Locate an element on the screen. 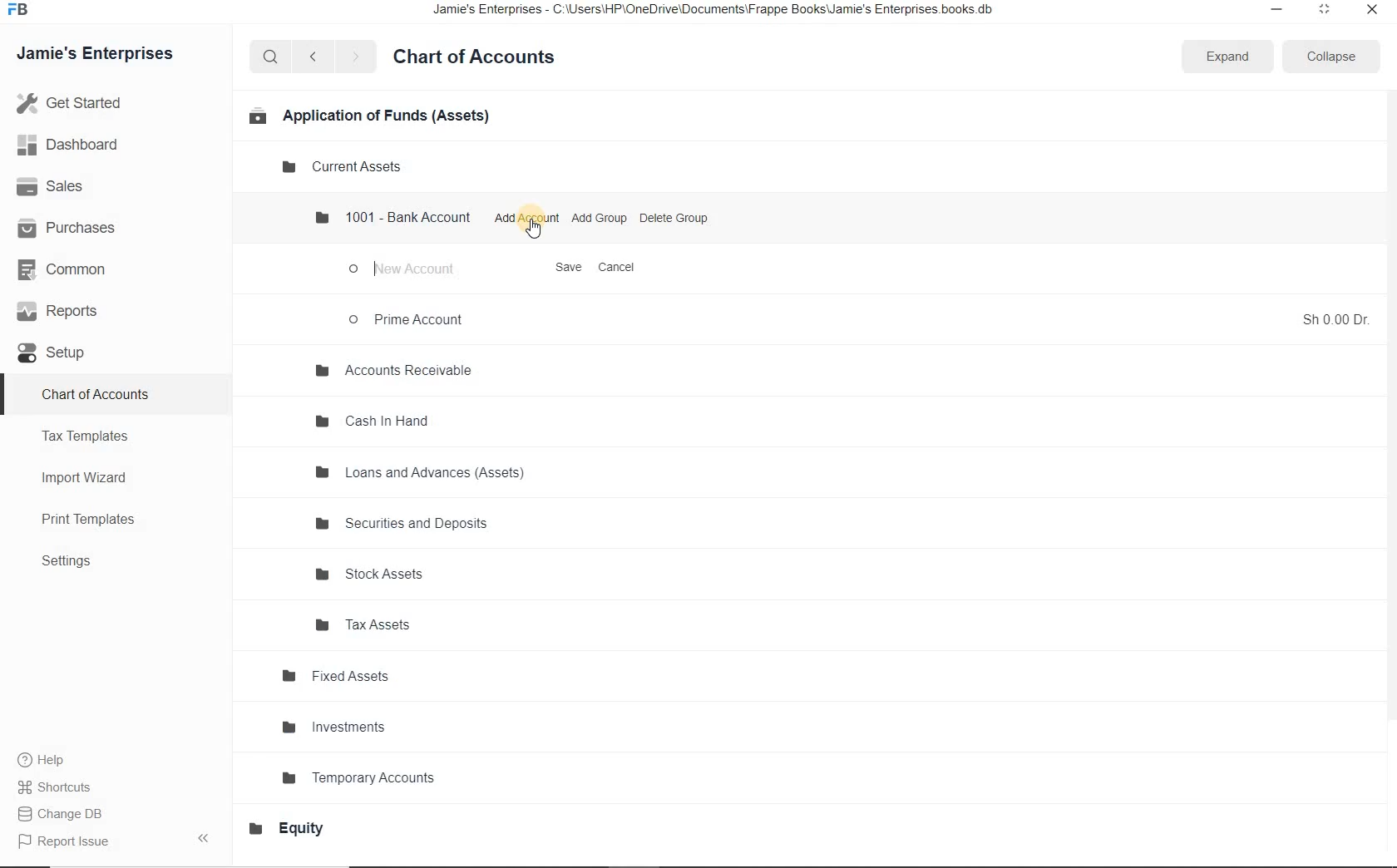 The image size is (1397, 868). Loans and Advances (Assets) is located at coordinates (421, 473).